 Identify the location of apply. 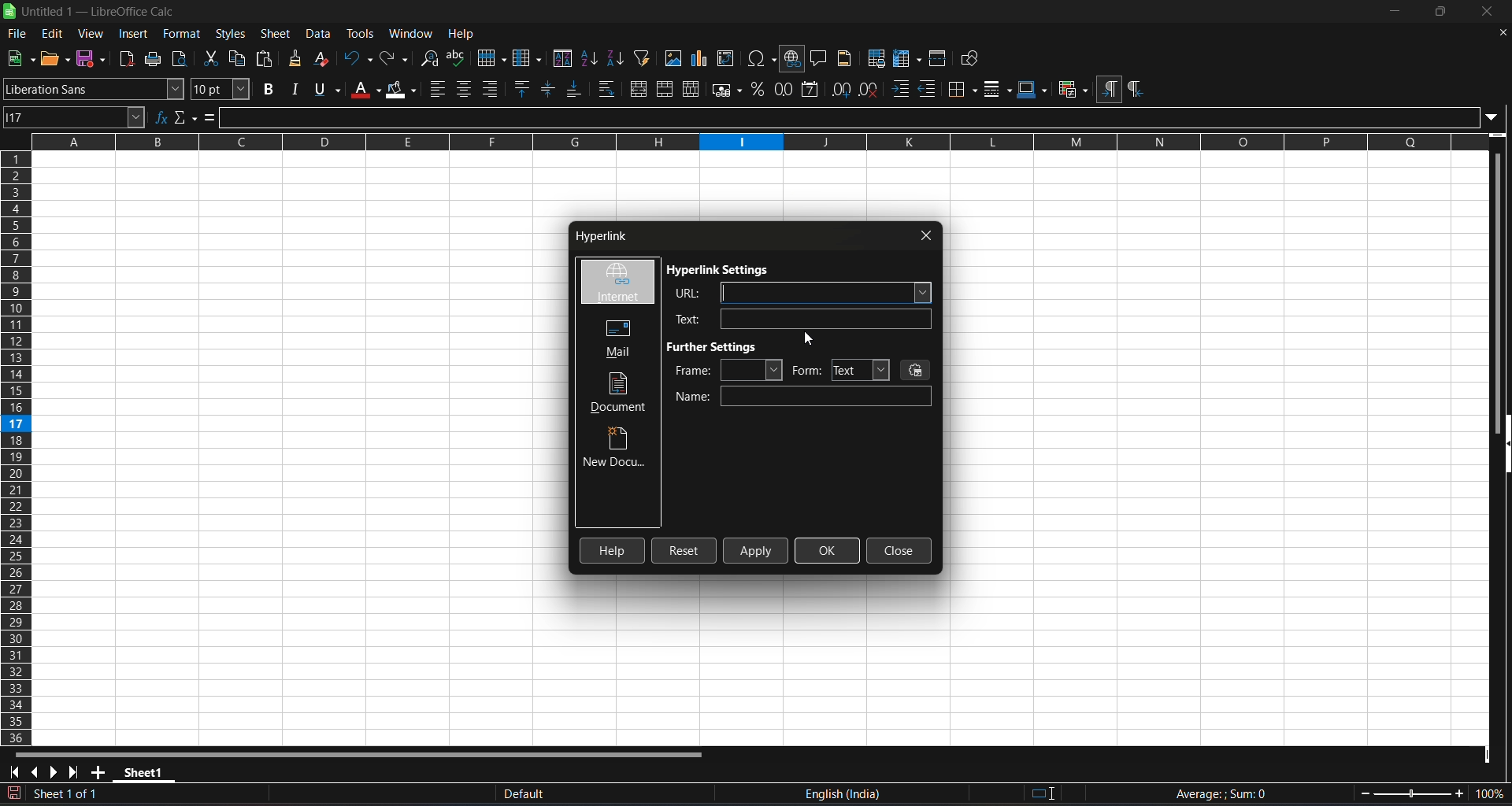
(757, 550).